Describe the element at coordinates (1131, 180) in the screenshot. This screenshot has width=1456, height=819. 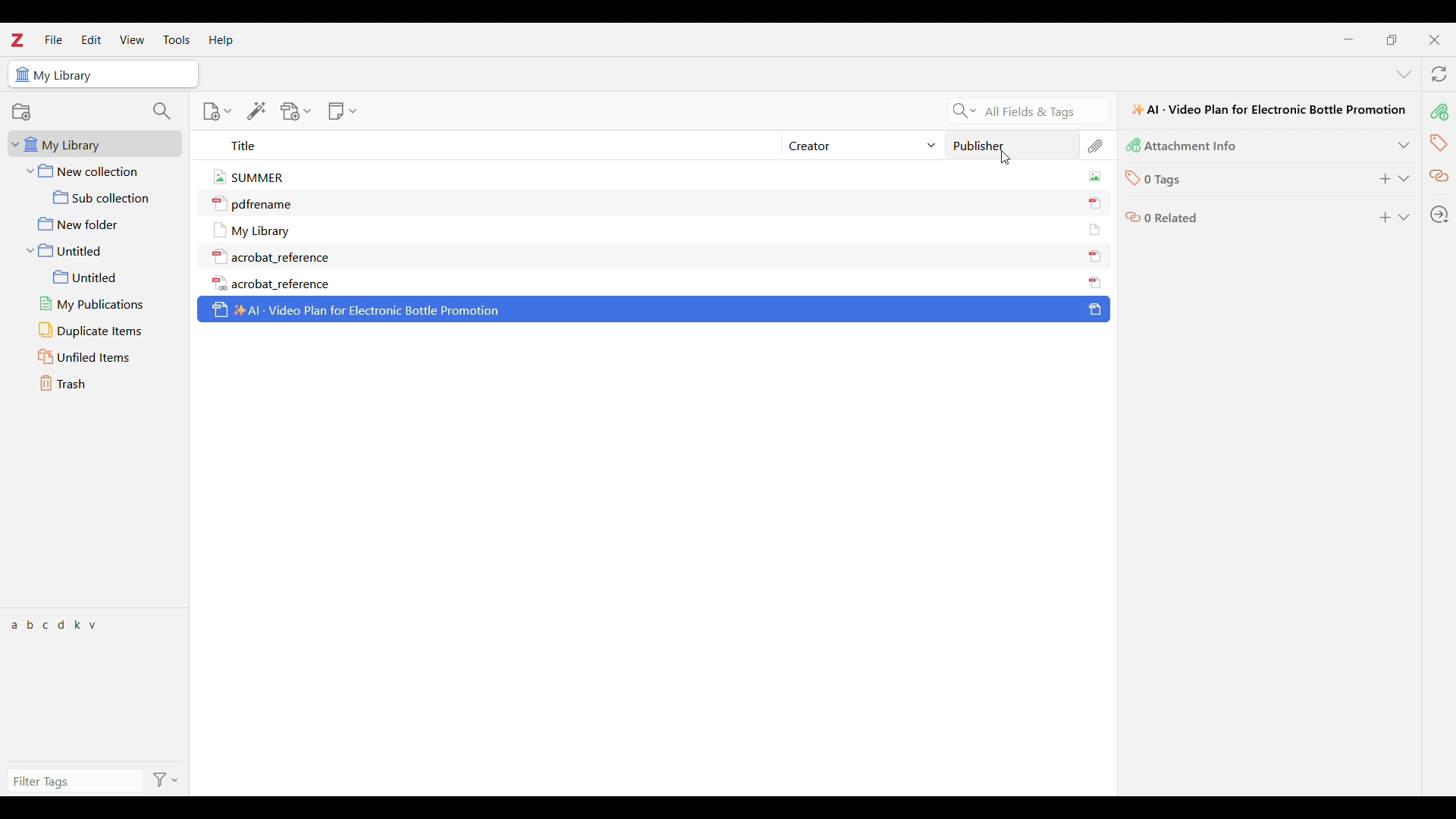
I see `icon` at that location.